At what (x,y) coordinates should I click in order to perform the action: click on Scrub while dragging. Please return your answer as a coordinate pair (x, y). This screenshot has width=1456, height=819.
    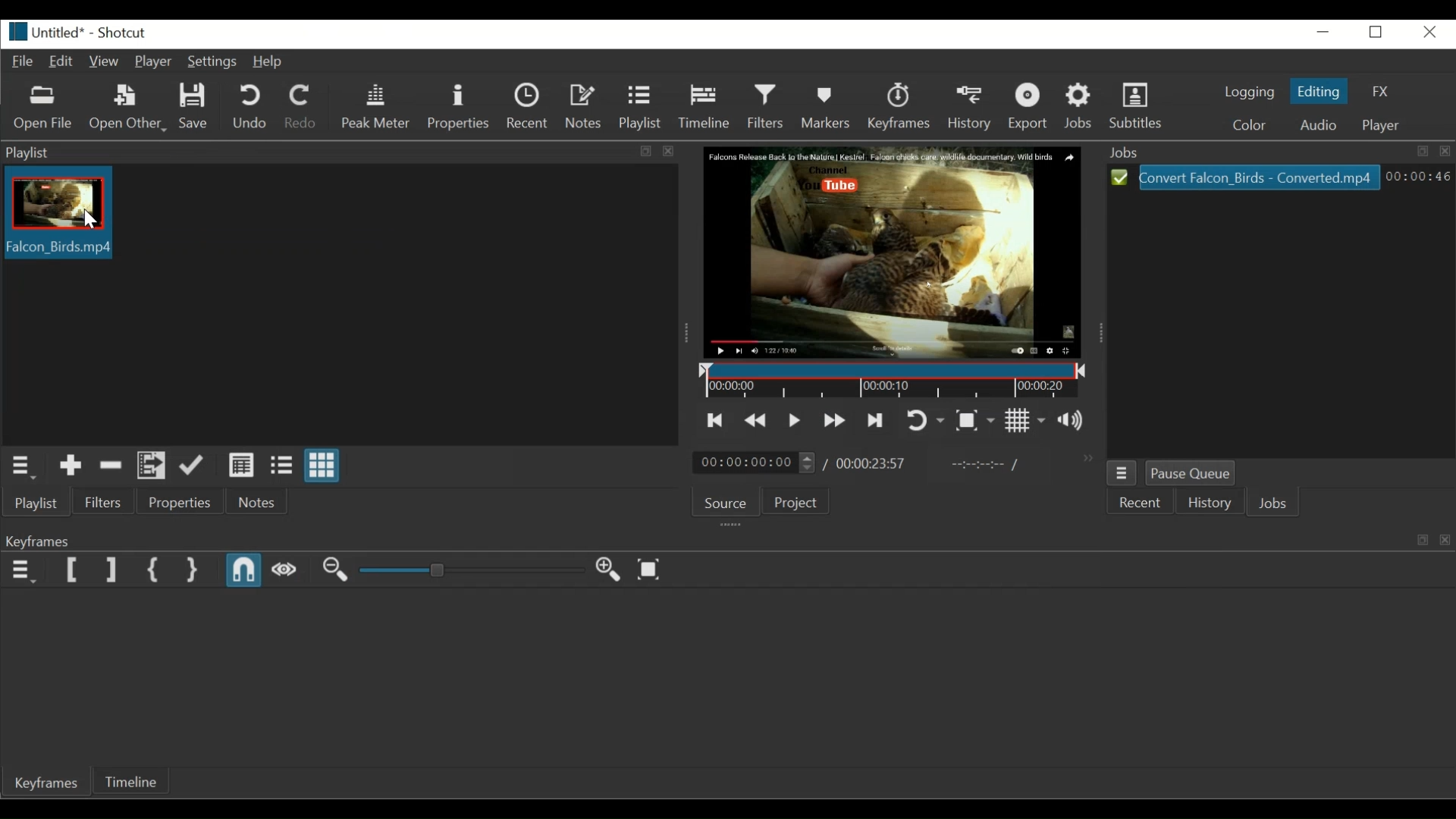
    Looking at the image, I should click on (284, 569).